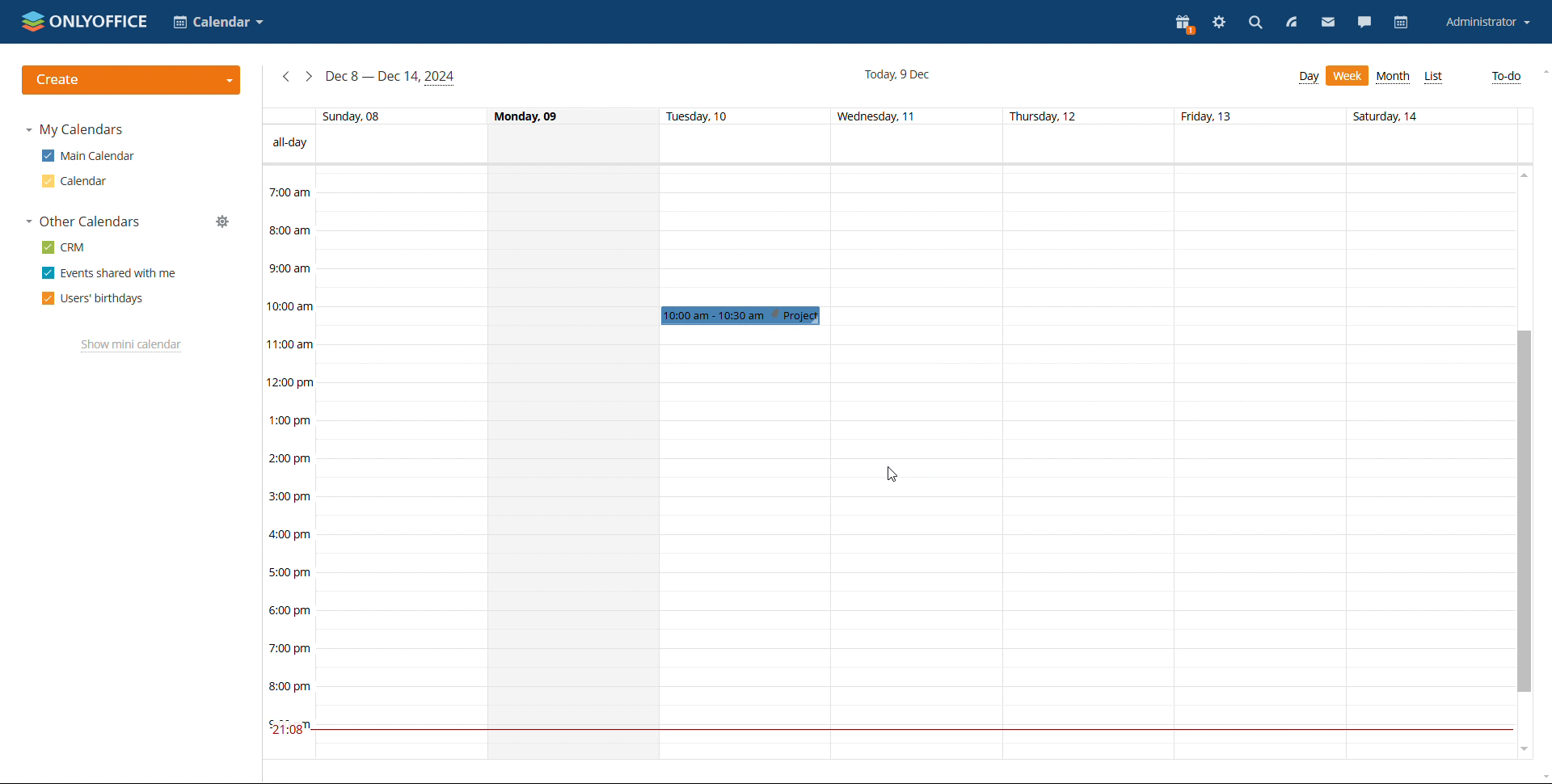  Describe the element at coordinates (1485, 23) in the screenshot. I see `account` at that location.